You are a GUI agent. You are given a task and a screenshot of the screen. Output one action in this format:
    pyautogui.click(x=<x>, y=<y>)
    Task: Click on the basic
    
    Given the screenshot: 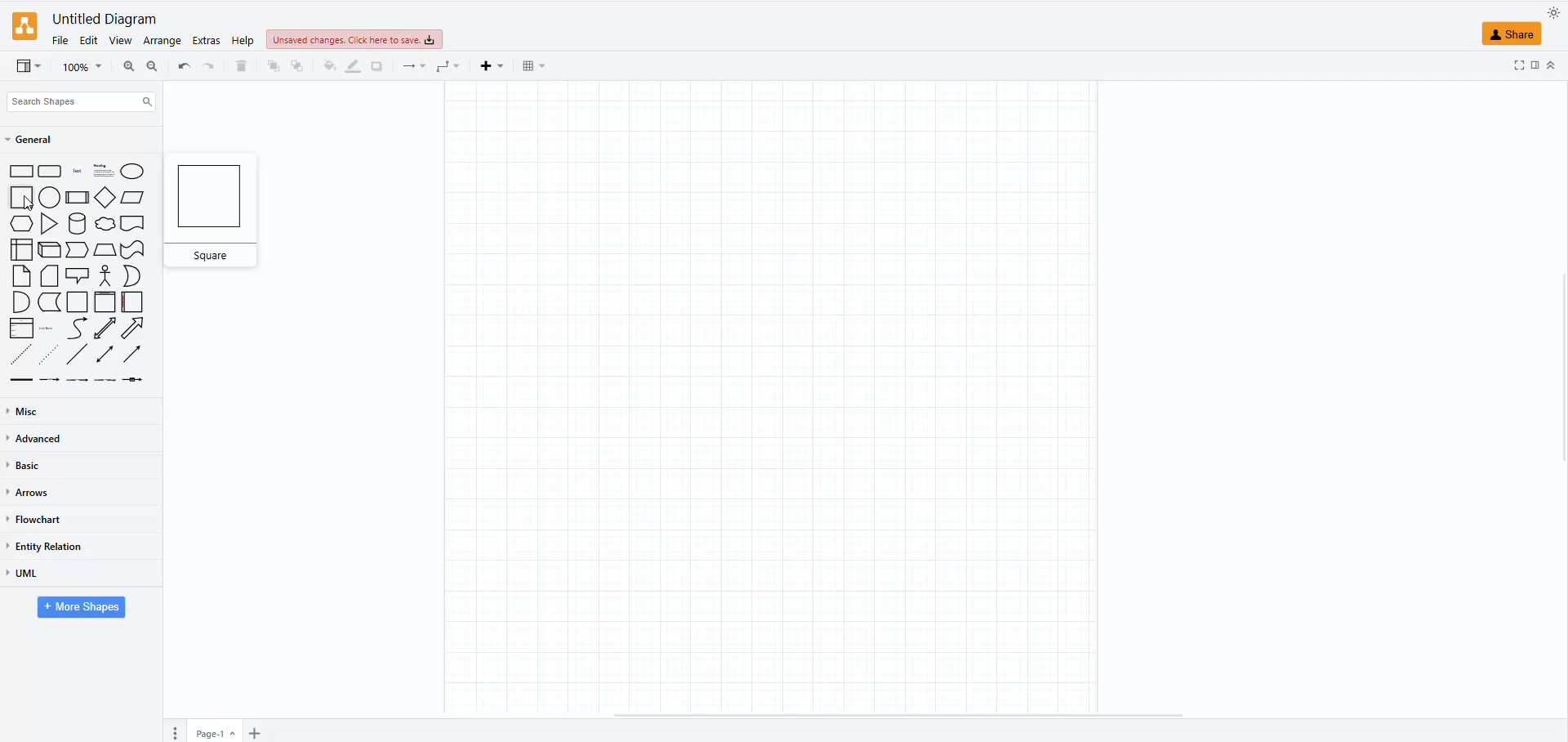 What is the action you would take?
    pyautogui.click(x=31, y=467)
    